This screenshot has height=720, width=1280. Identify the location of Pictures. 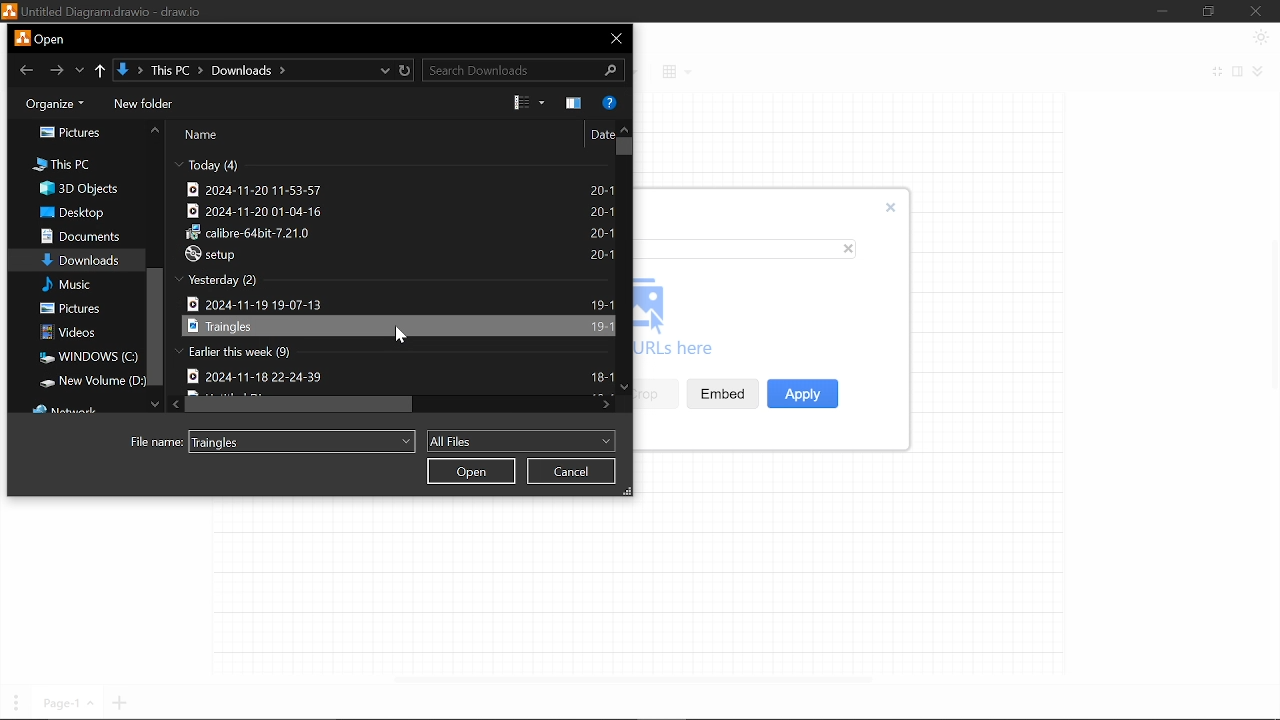
(66, 134).